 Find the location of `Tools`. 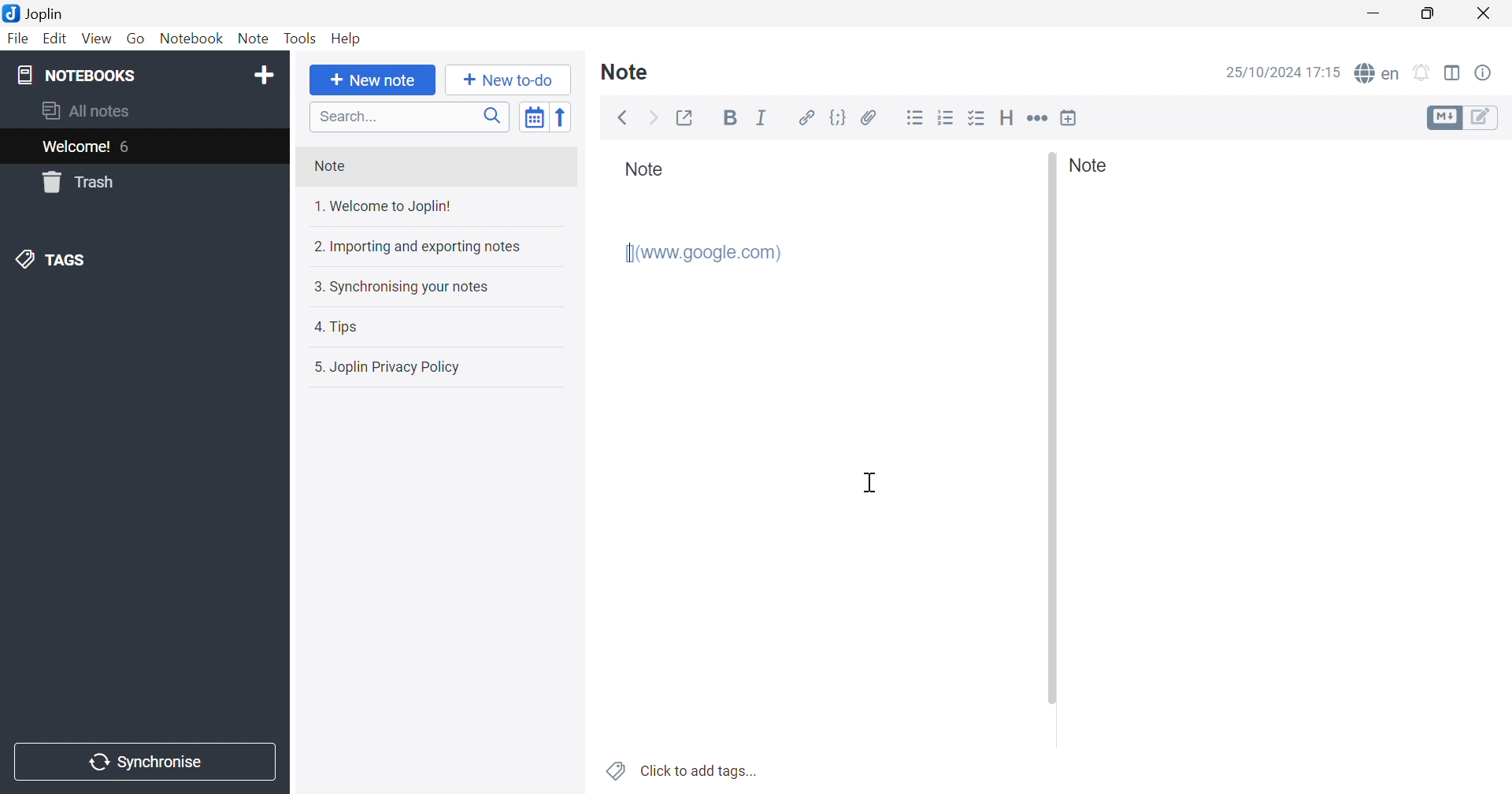

Tools is located at coordinates (299, 39).